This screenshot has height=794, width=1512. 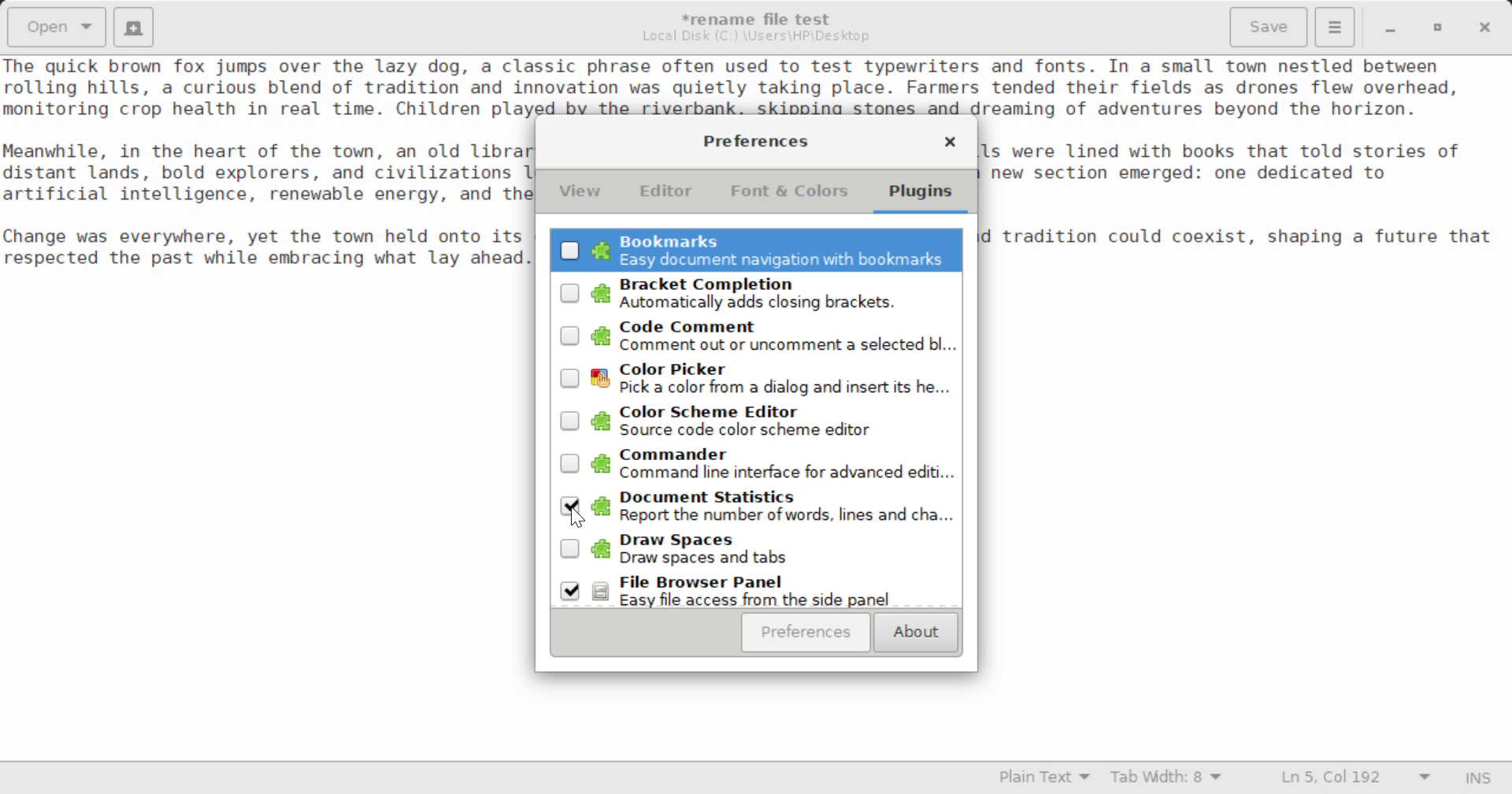 I want to click on Tab Width , so click(x=1169, y=779).